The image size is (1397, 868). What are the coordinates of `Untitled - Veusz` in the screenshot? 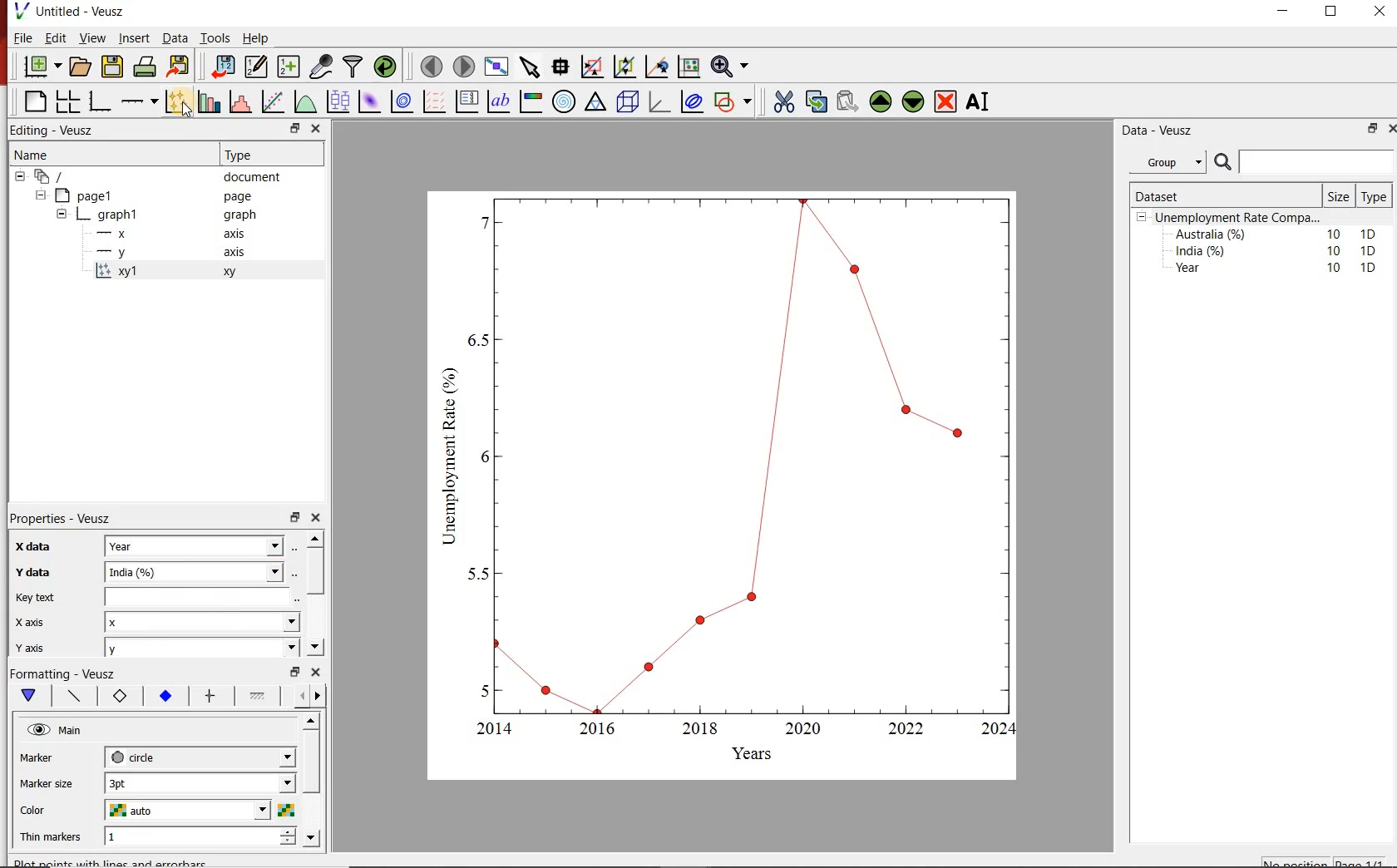 It's located at (68, 10).